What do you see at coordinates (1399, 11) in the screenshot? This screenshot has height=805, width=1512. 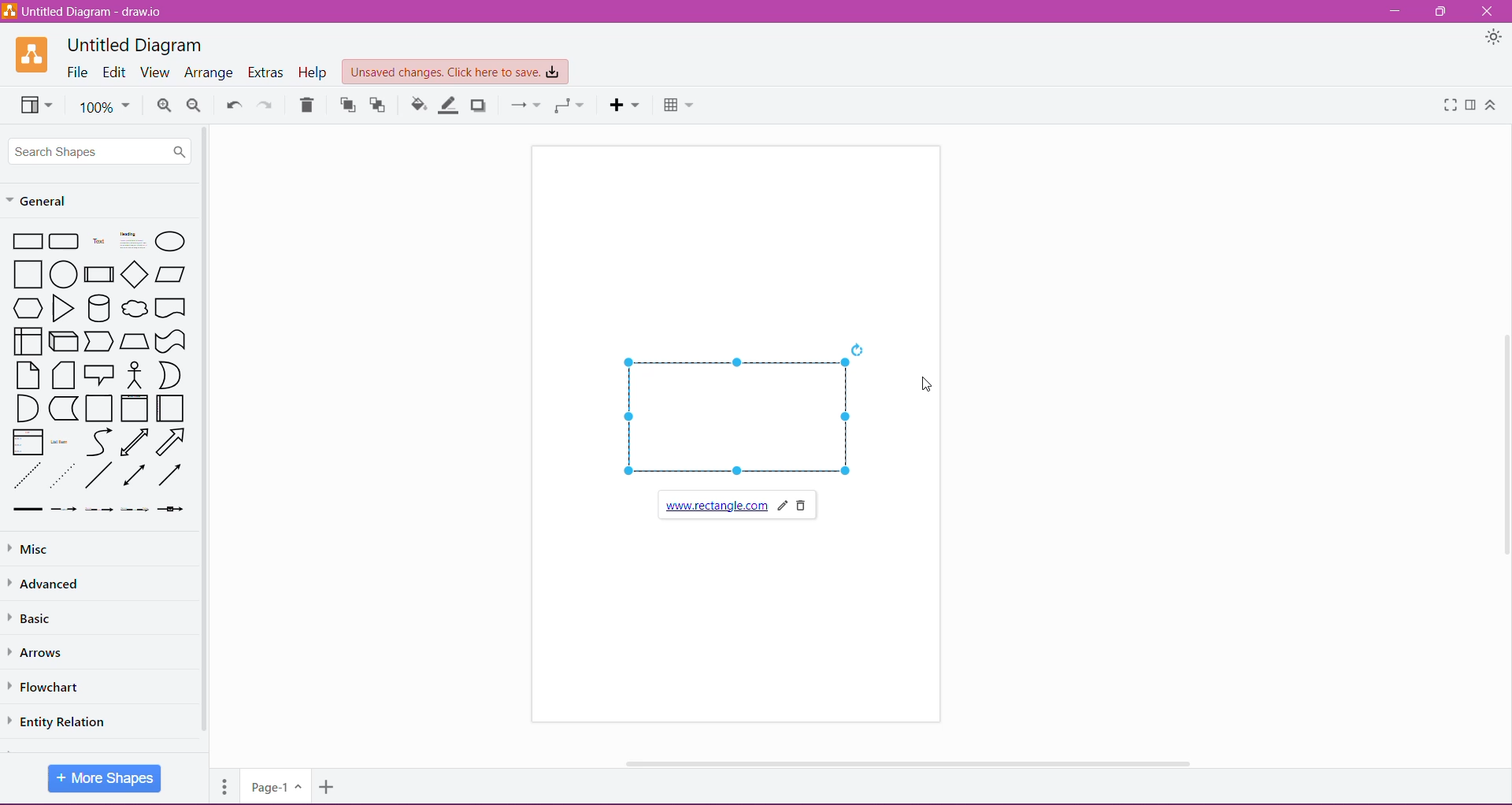 I see `Minimize` at bounding box center [1399, 11].